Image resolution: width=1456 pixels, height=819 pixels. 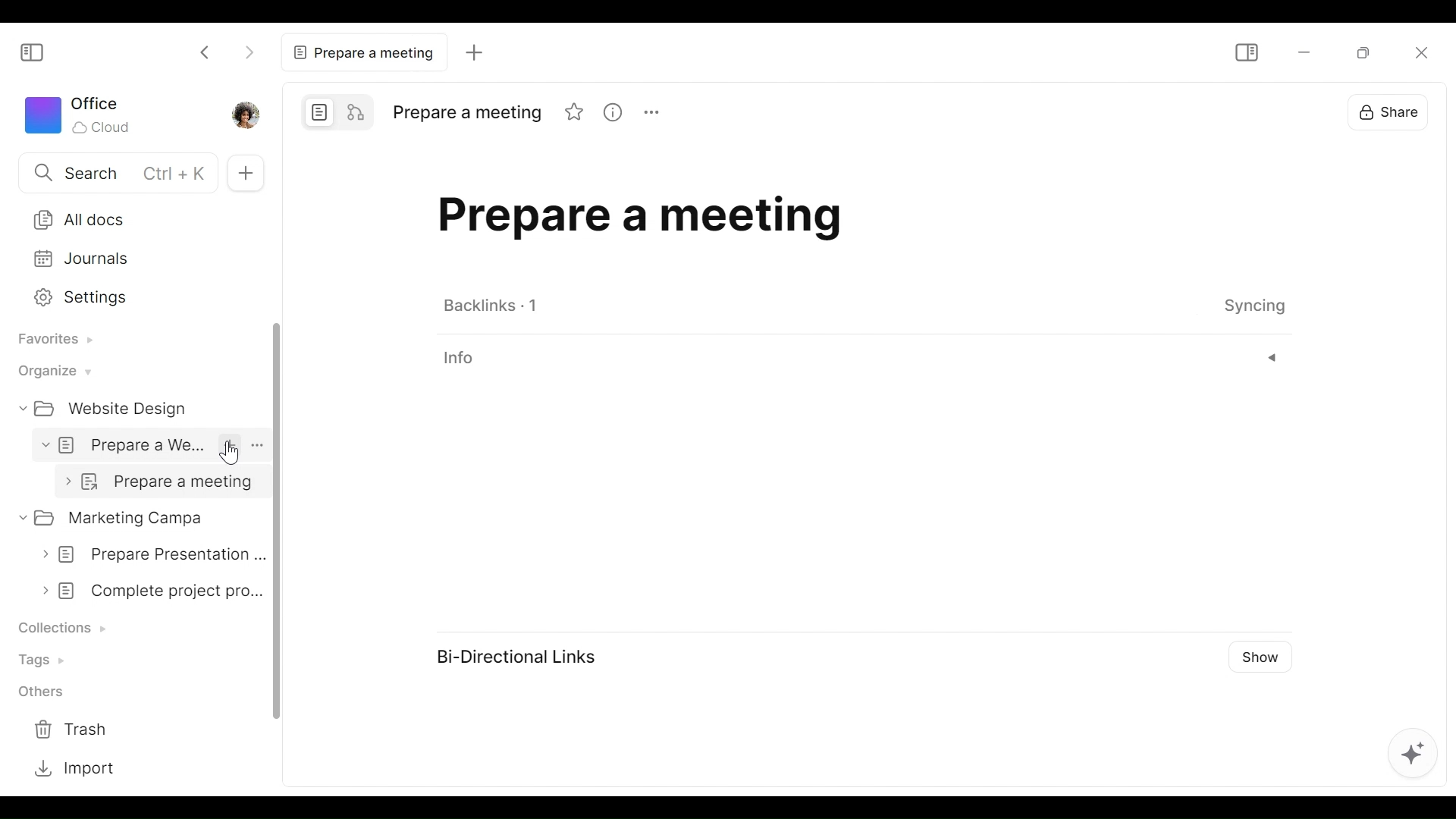 What do you see at coordinates (51, 342) in the screenshot?
I see `Favorites` at bounding box center [51, 342].